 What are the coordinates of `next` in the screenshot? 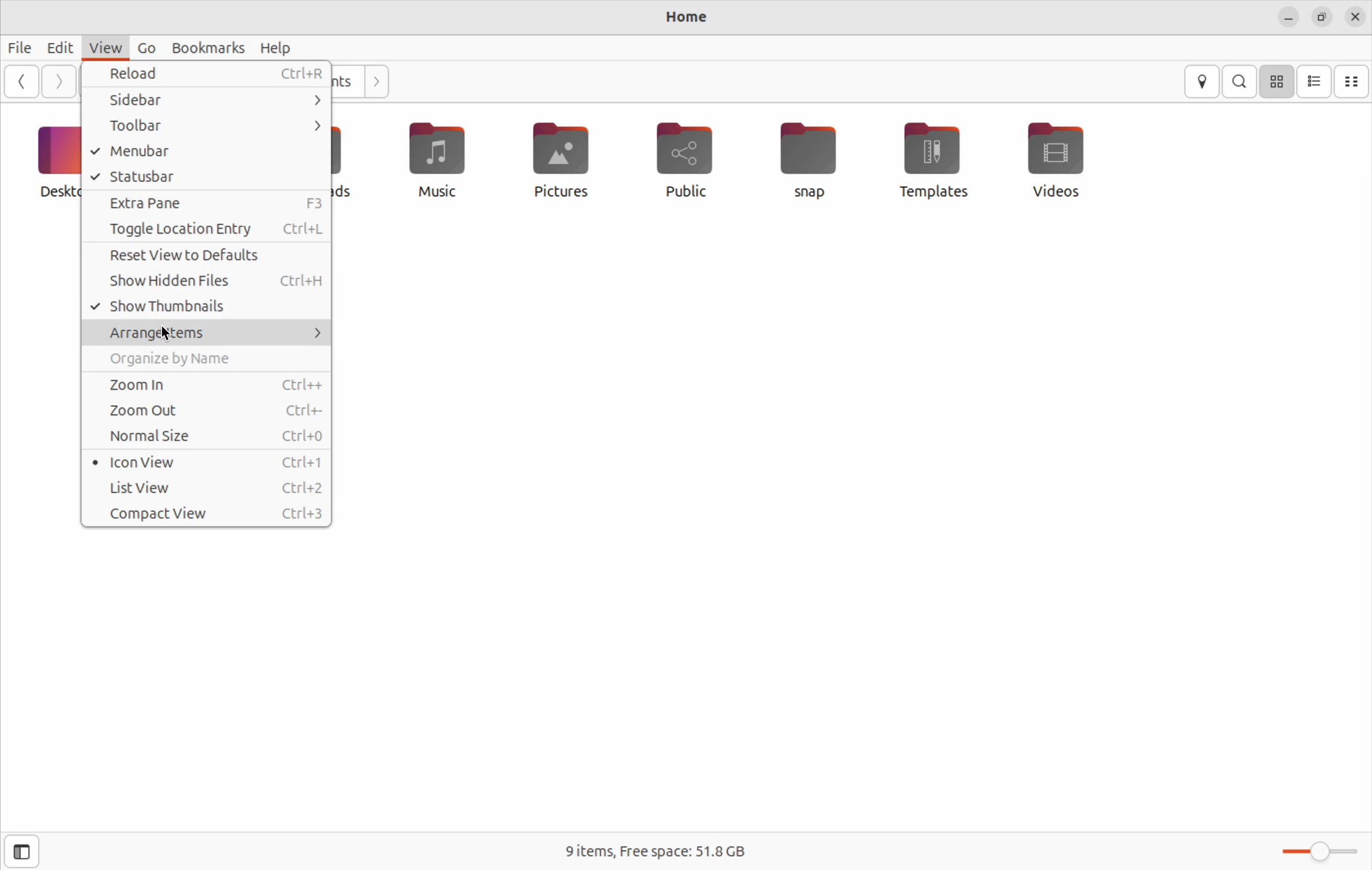 It's located at (375, 81).